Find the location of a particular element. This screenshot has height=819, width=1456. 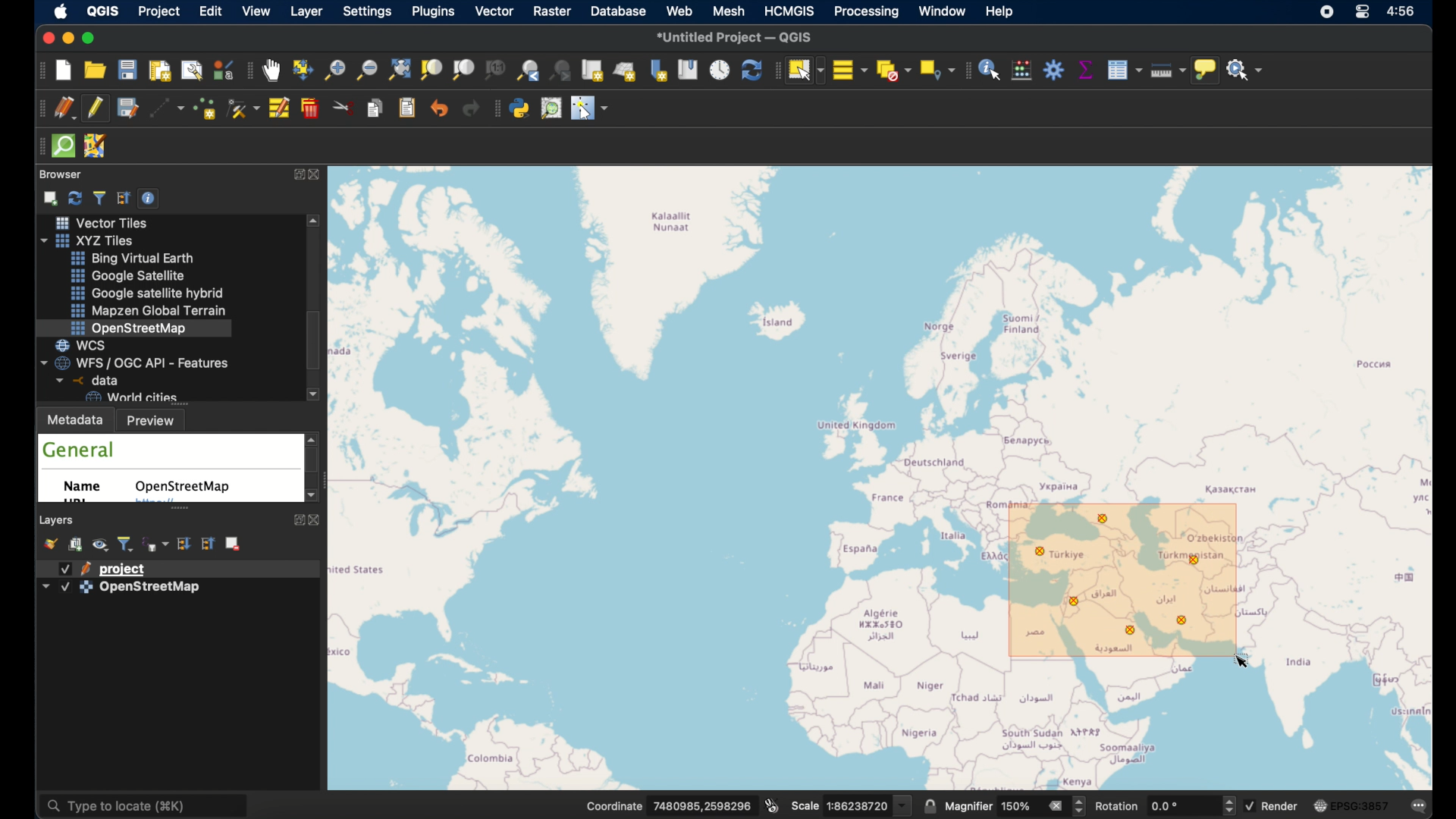

checkbox is located at coordinates (1250, 806).